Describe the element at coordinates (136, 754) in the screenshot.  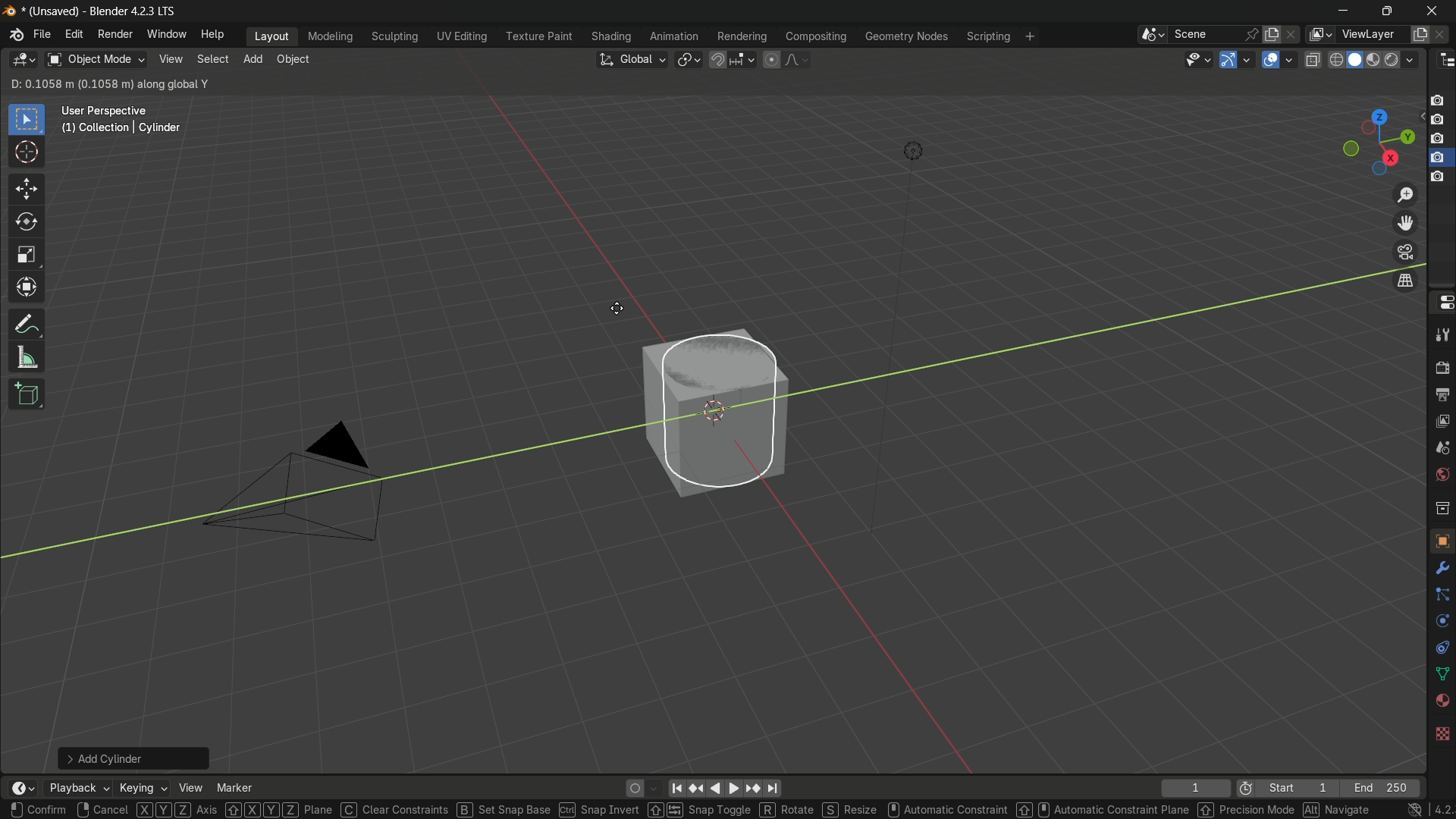
I see `add cylinder` at that location.